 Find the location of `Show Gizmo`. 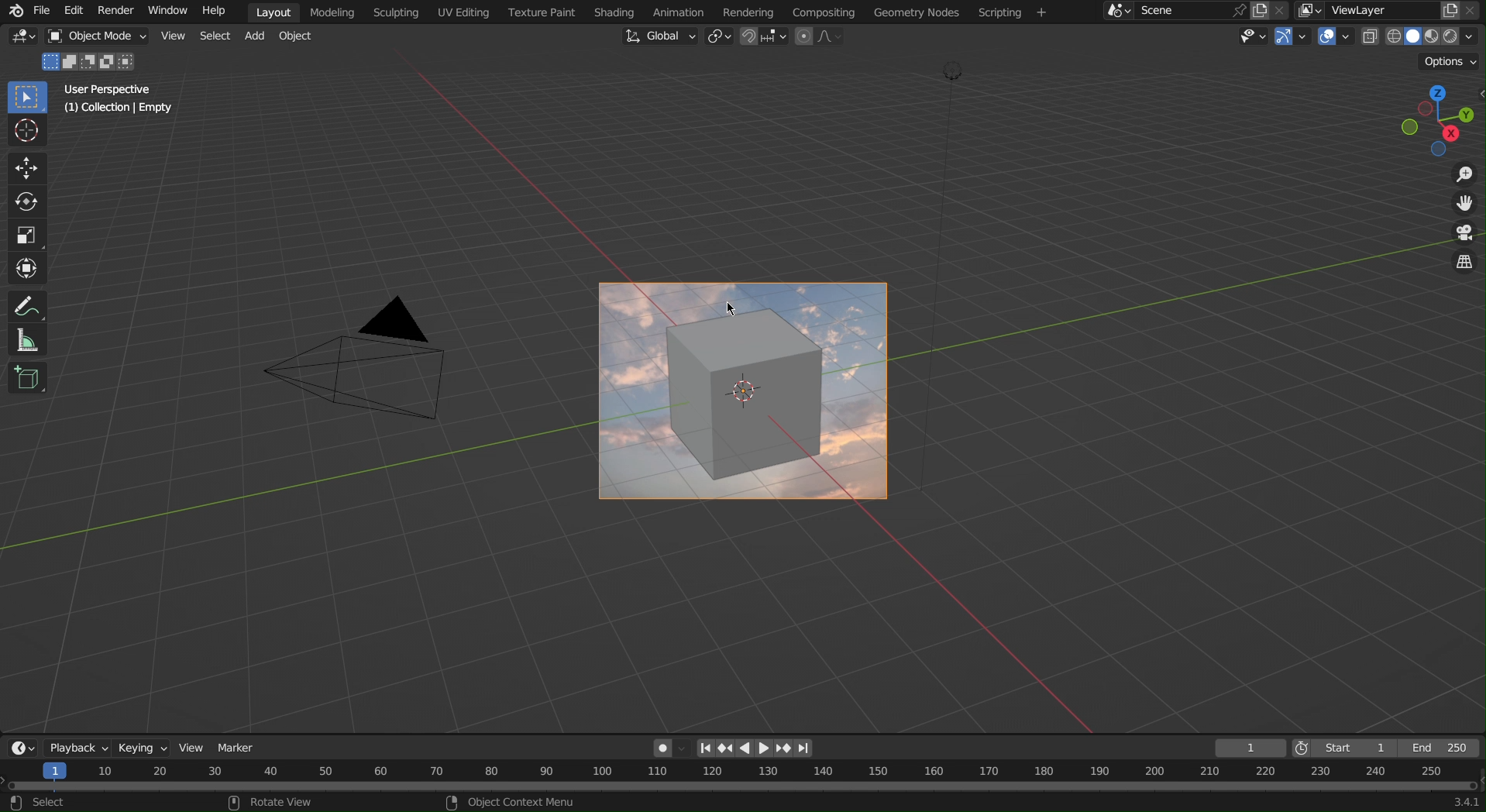

Show Gizmo is located at coordinates (1292, 38).